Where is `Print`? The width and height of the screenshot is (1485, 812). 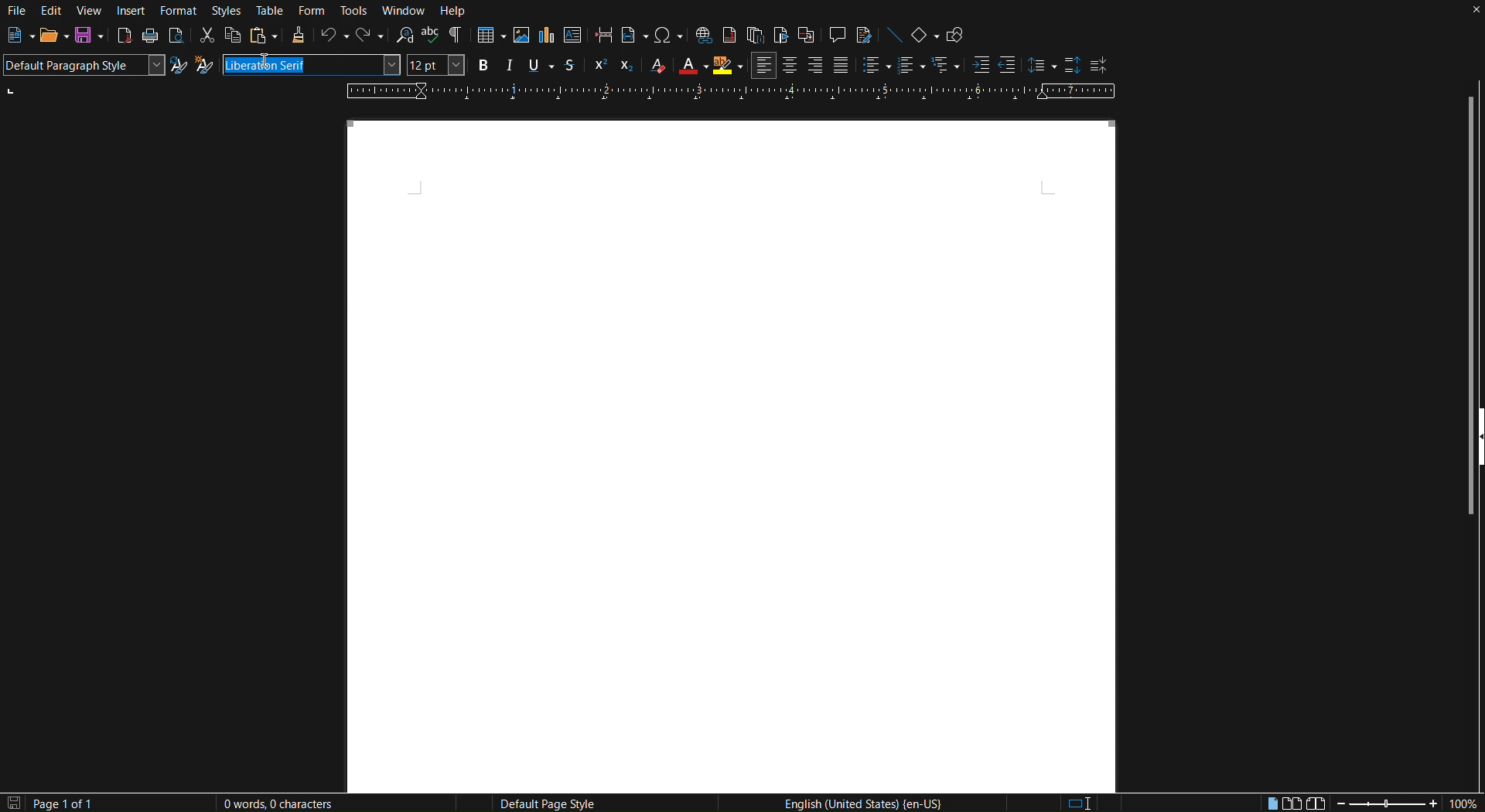
Print is located at coordinates (151, 38).